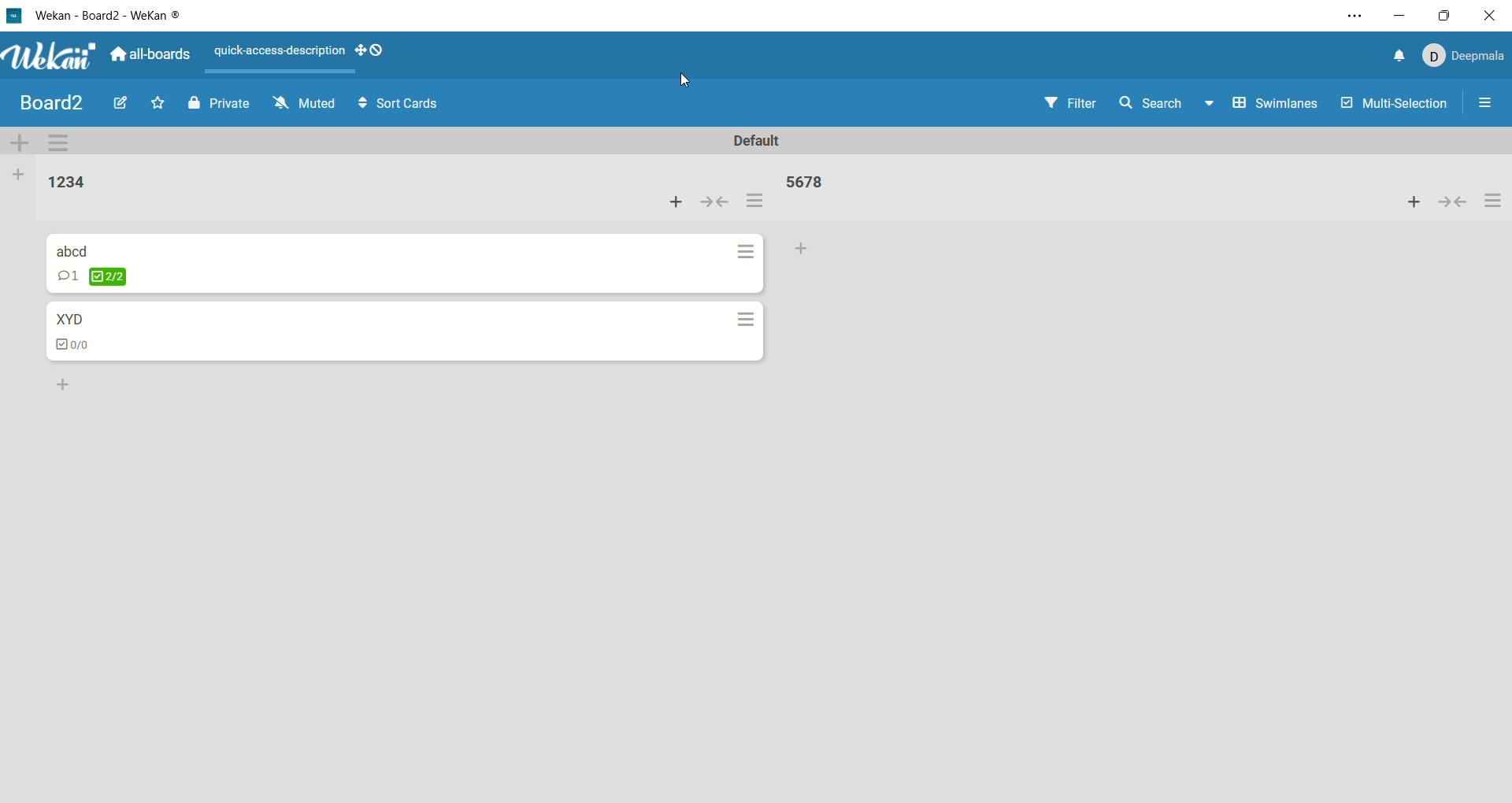 This screenshot has height=803, width=1512. I want to click on sort cards, so click(395, 105).